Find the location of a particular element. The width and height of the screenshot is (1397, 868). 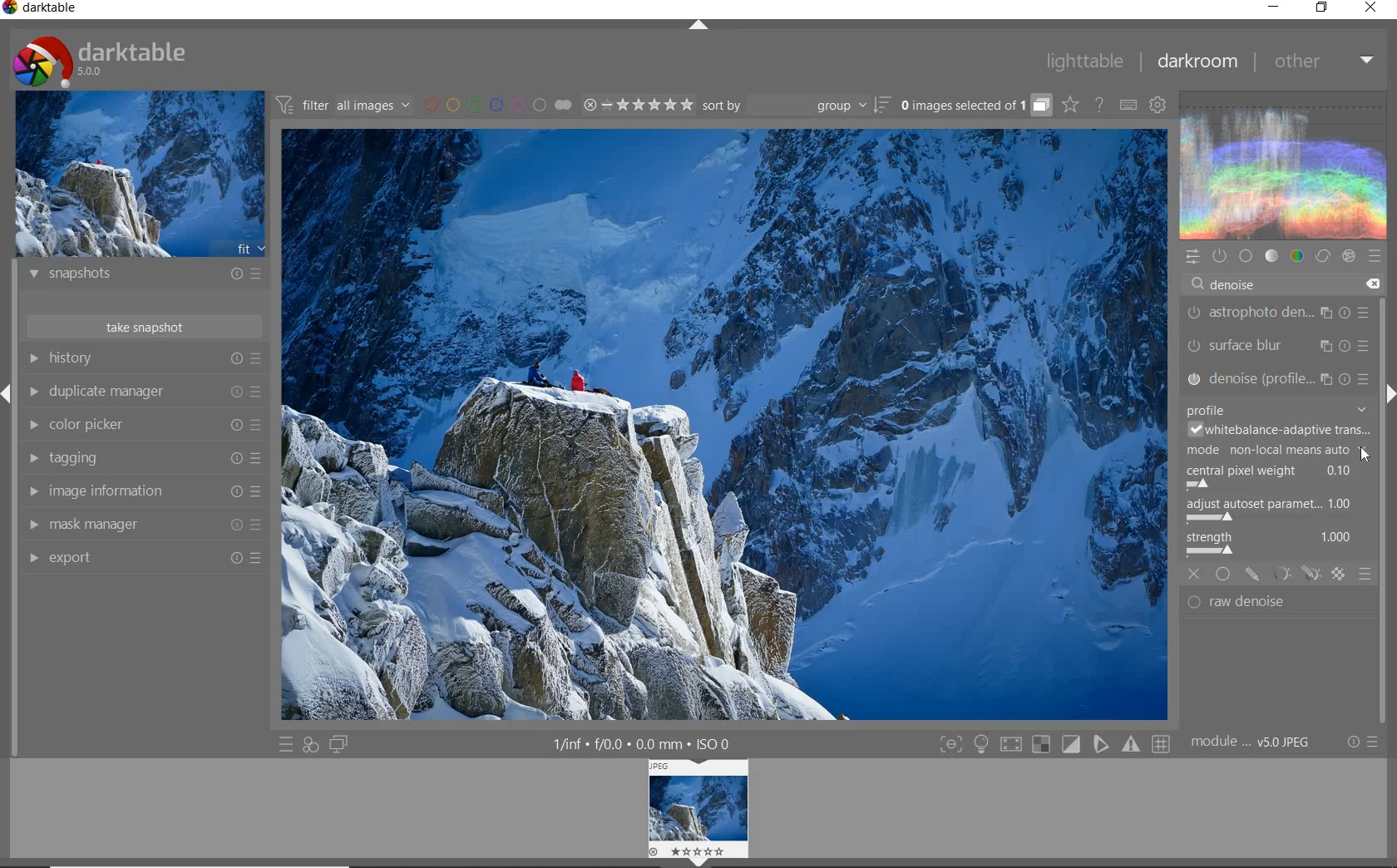

Toggle modes is located at coordinates (1054, 742).